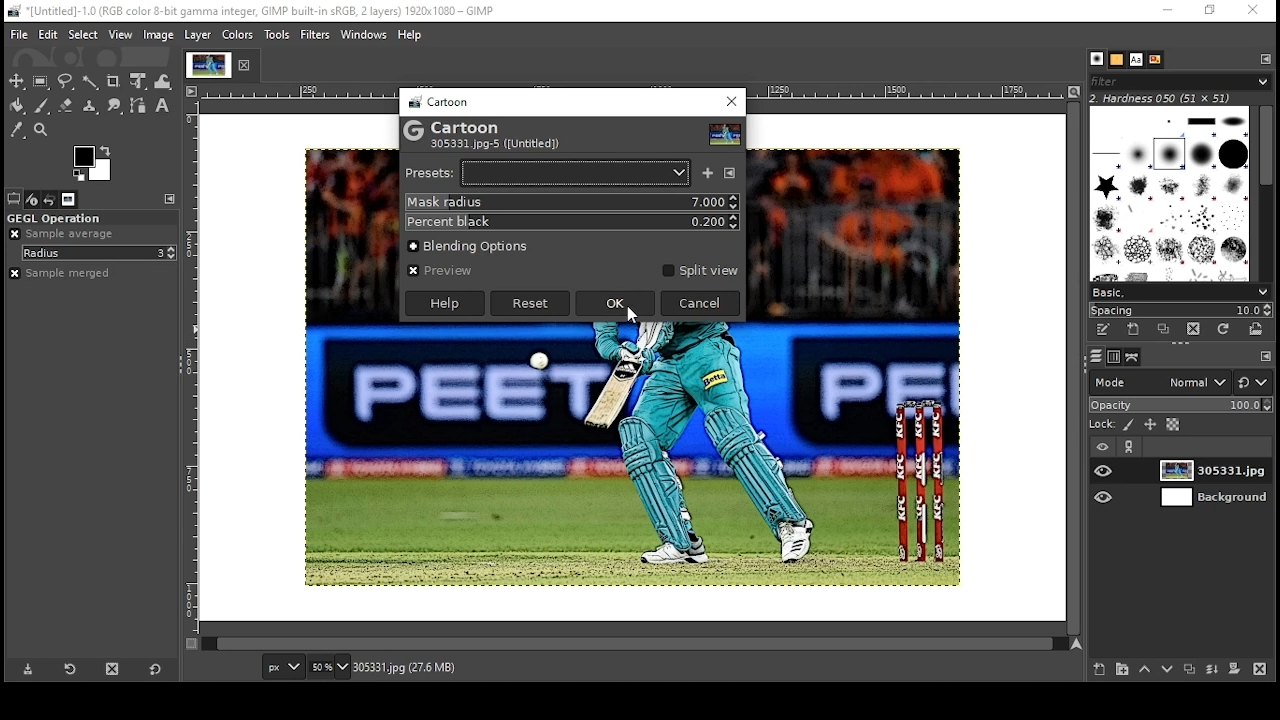 The height and width of the screenshot is (720, 1280). Describe the element at coordinates (572, 201) in the screenshot. I see `mask radius` at that location.